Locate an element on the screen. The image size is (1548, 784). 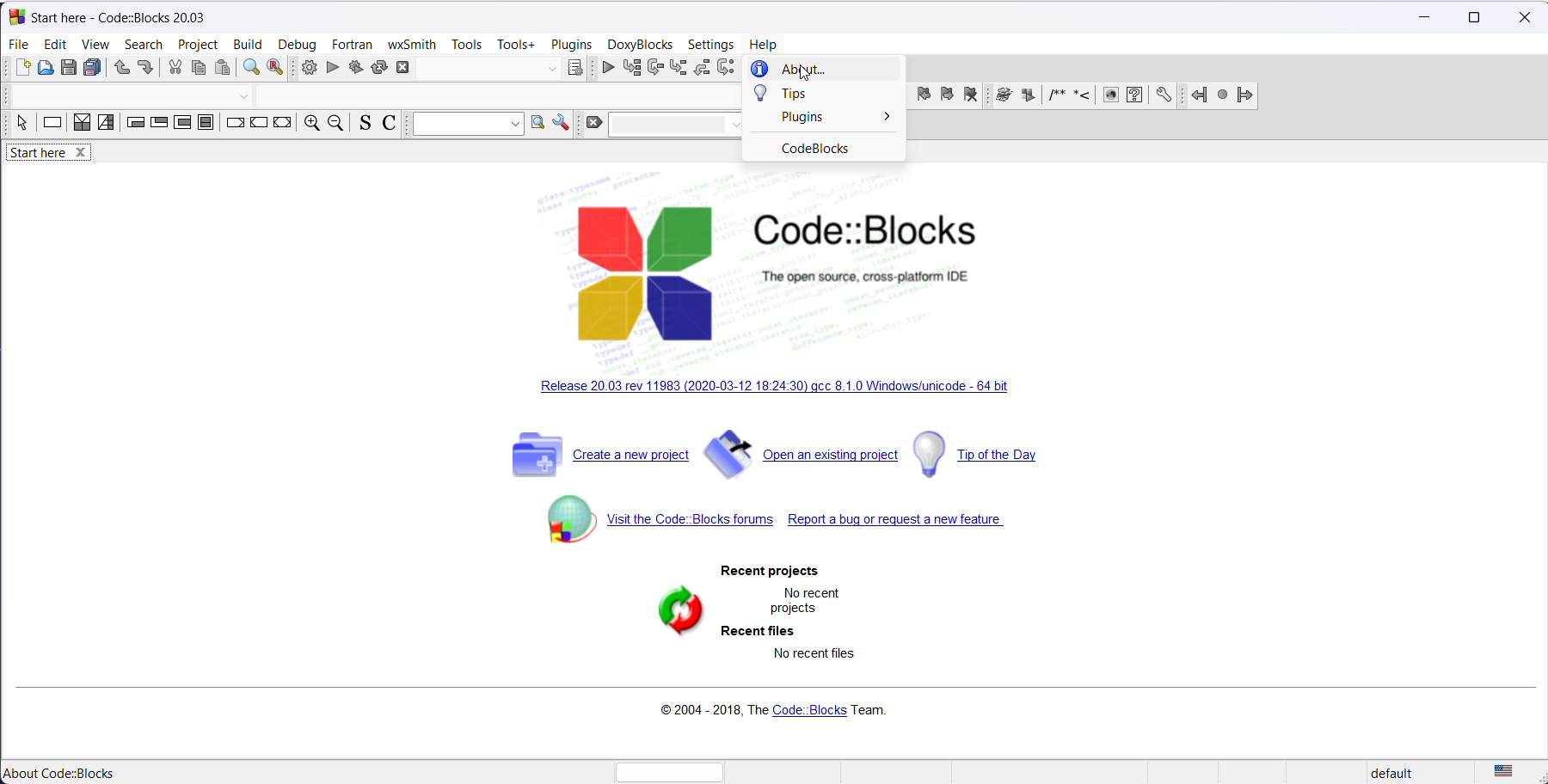
source comments is located at coordinates (363, 125).